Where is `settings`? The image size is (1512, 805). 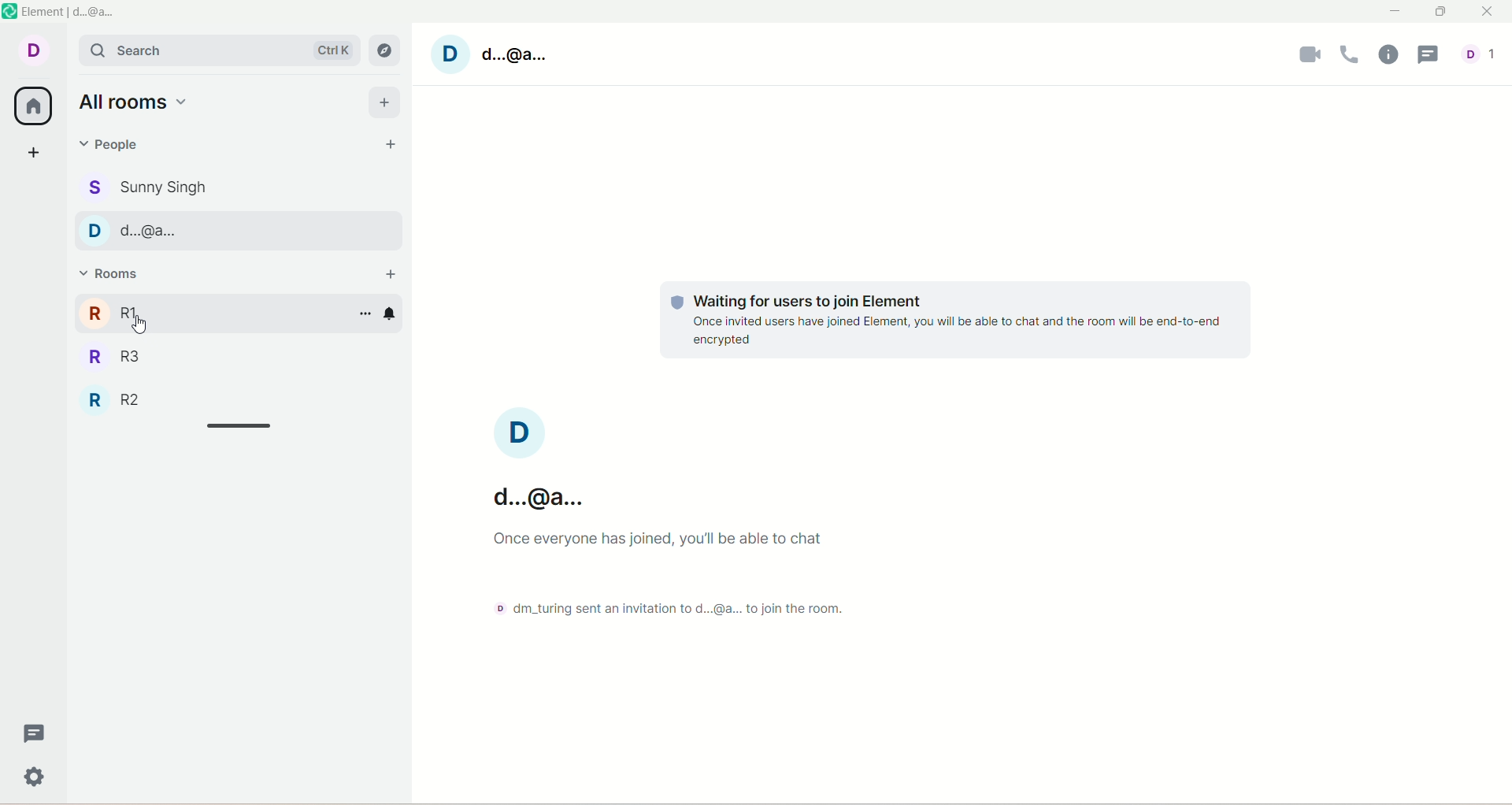 settings is located at coordinates (35, 777).